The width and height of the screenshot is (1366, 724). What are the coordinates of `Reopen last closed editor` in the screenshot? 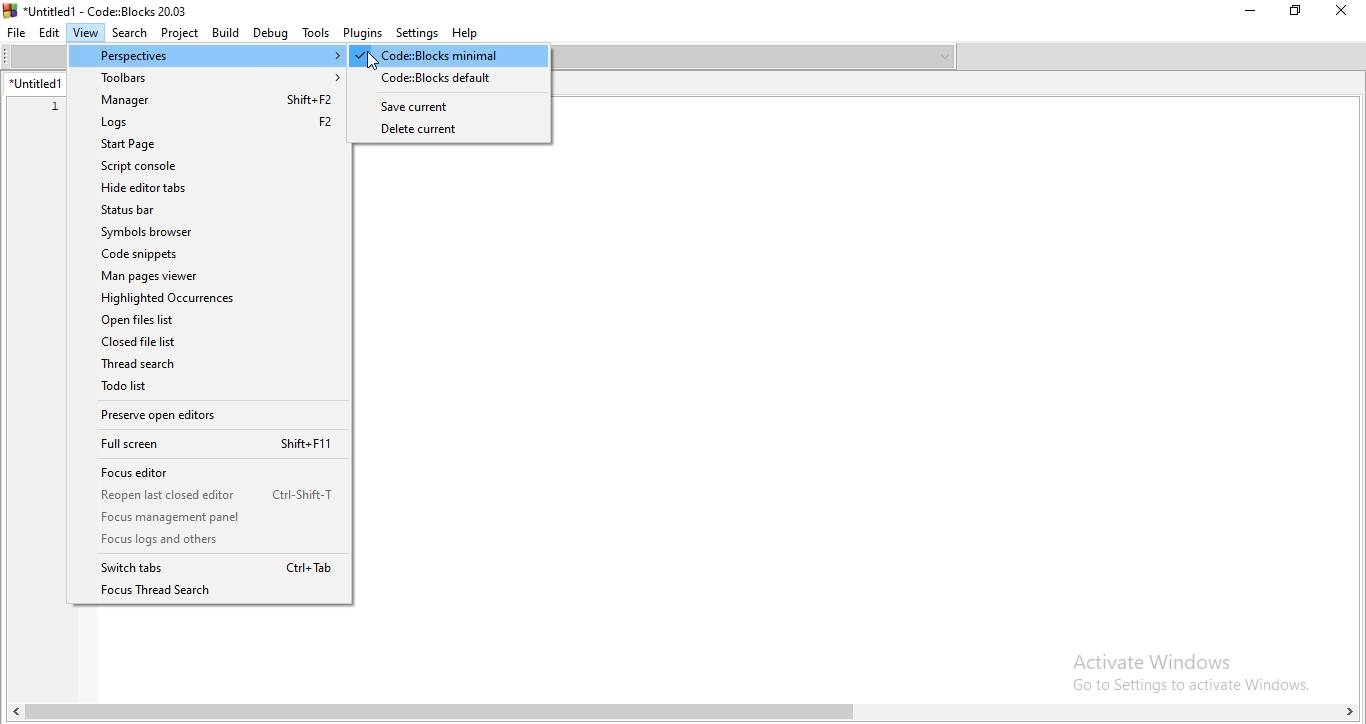 It's located at (210, 497).